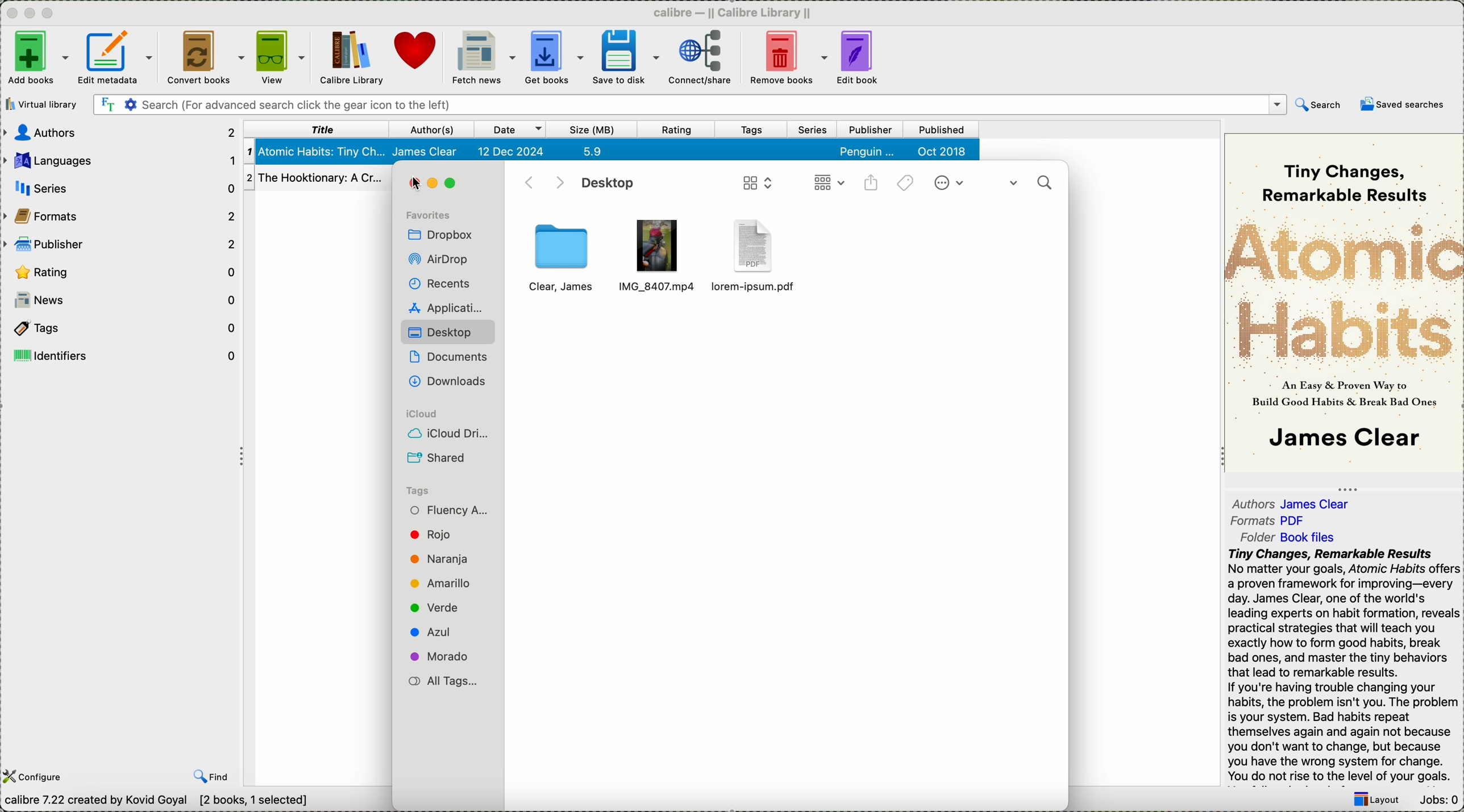 The width and height of the screenshot is (1464, 812). What do you see at coordinates (951, 184) in the screenshot?
I see `more options` at bounding box center [951, 184].